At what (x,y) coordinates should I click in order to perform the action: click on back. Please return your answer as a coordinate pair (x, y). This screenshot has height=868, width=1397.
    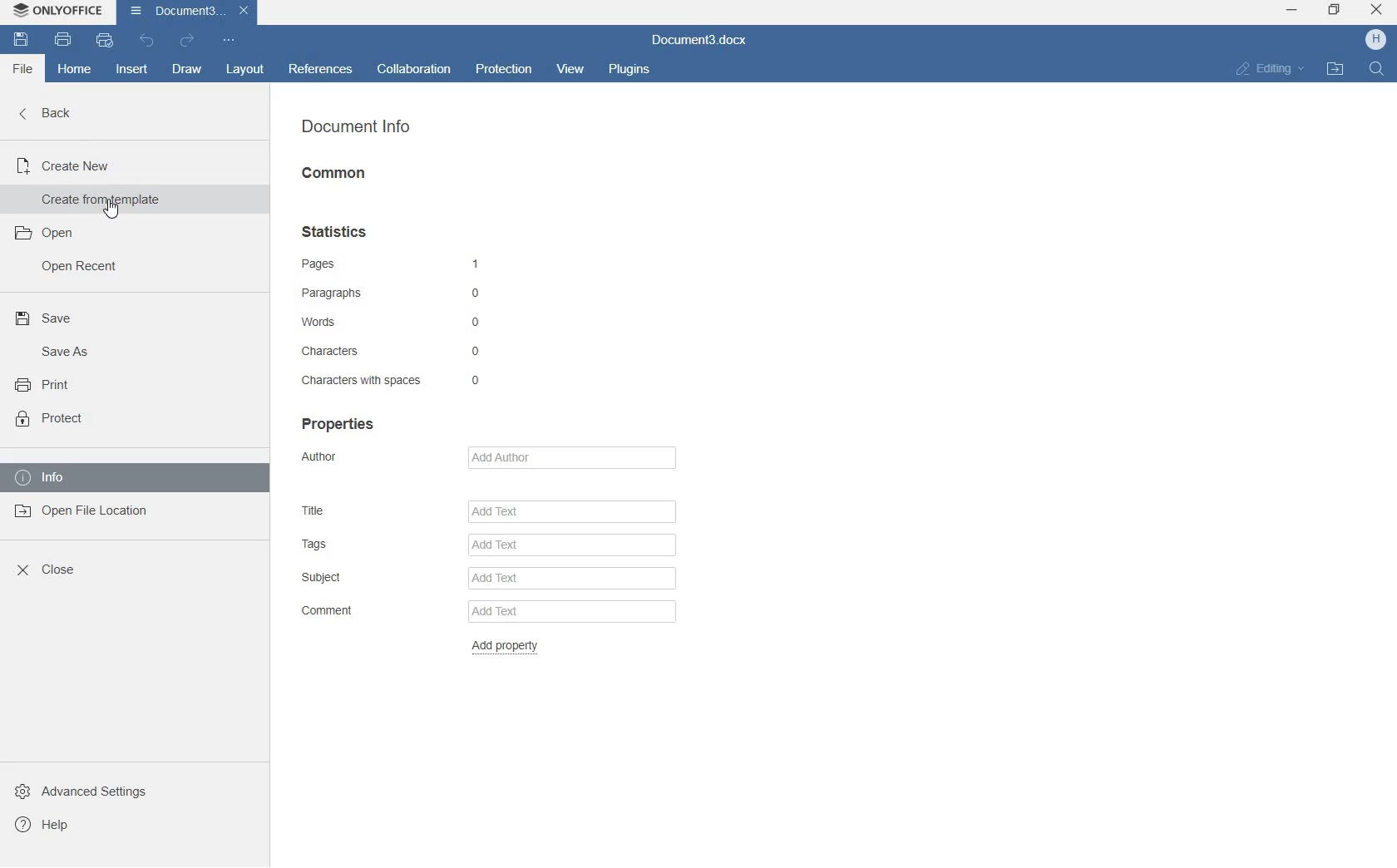
    Looking at the image, I should click on (53, 117).